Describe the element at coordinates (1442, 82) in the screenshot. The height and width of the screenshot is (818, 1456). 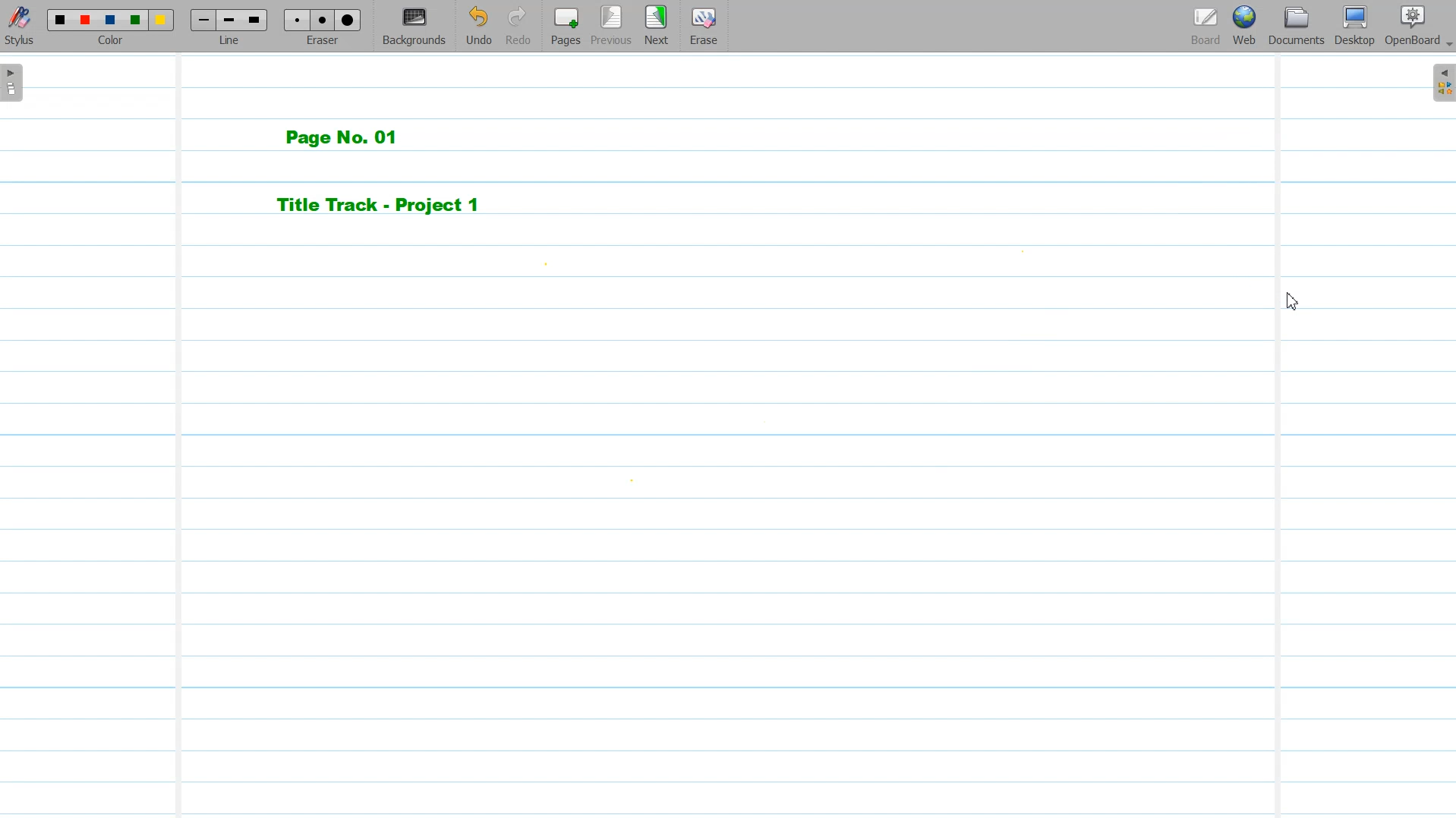
I see `Side Bar` at that location.